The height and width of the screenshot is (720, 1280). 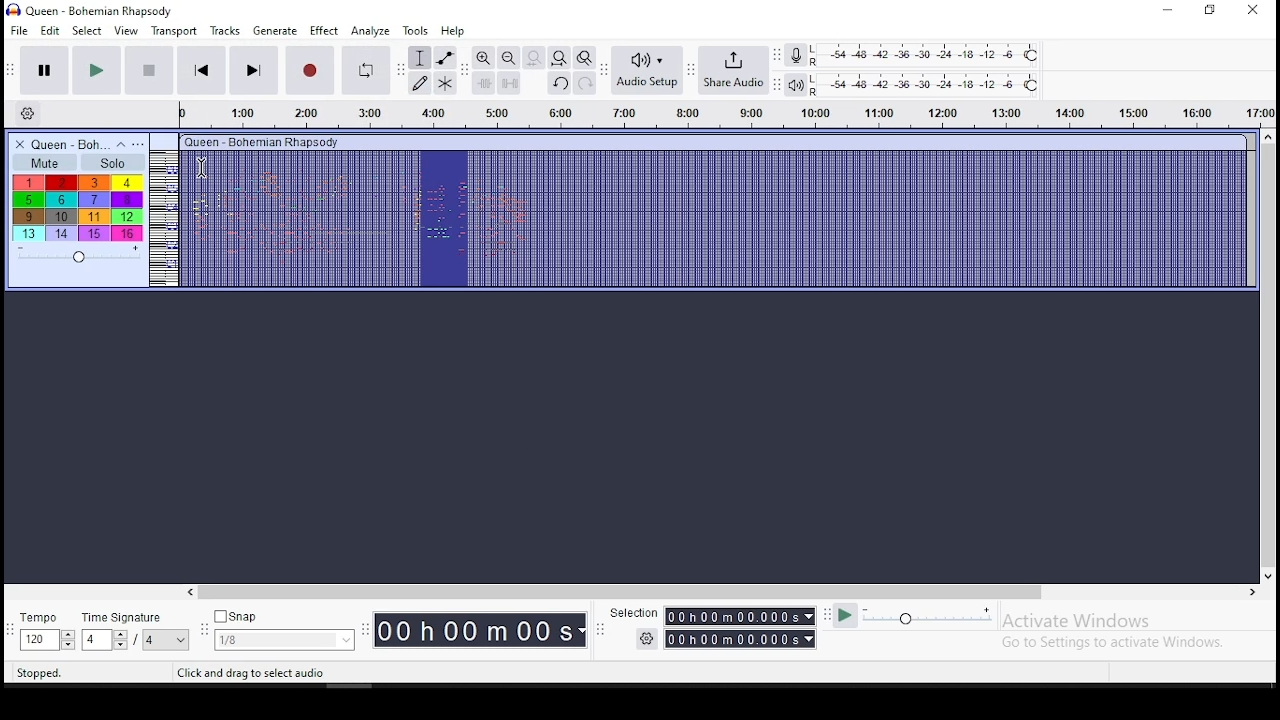 What do you see at coordinates (19, 144) in the screenshot?
I see `delete track` at bounding box center [19, 144].